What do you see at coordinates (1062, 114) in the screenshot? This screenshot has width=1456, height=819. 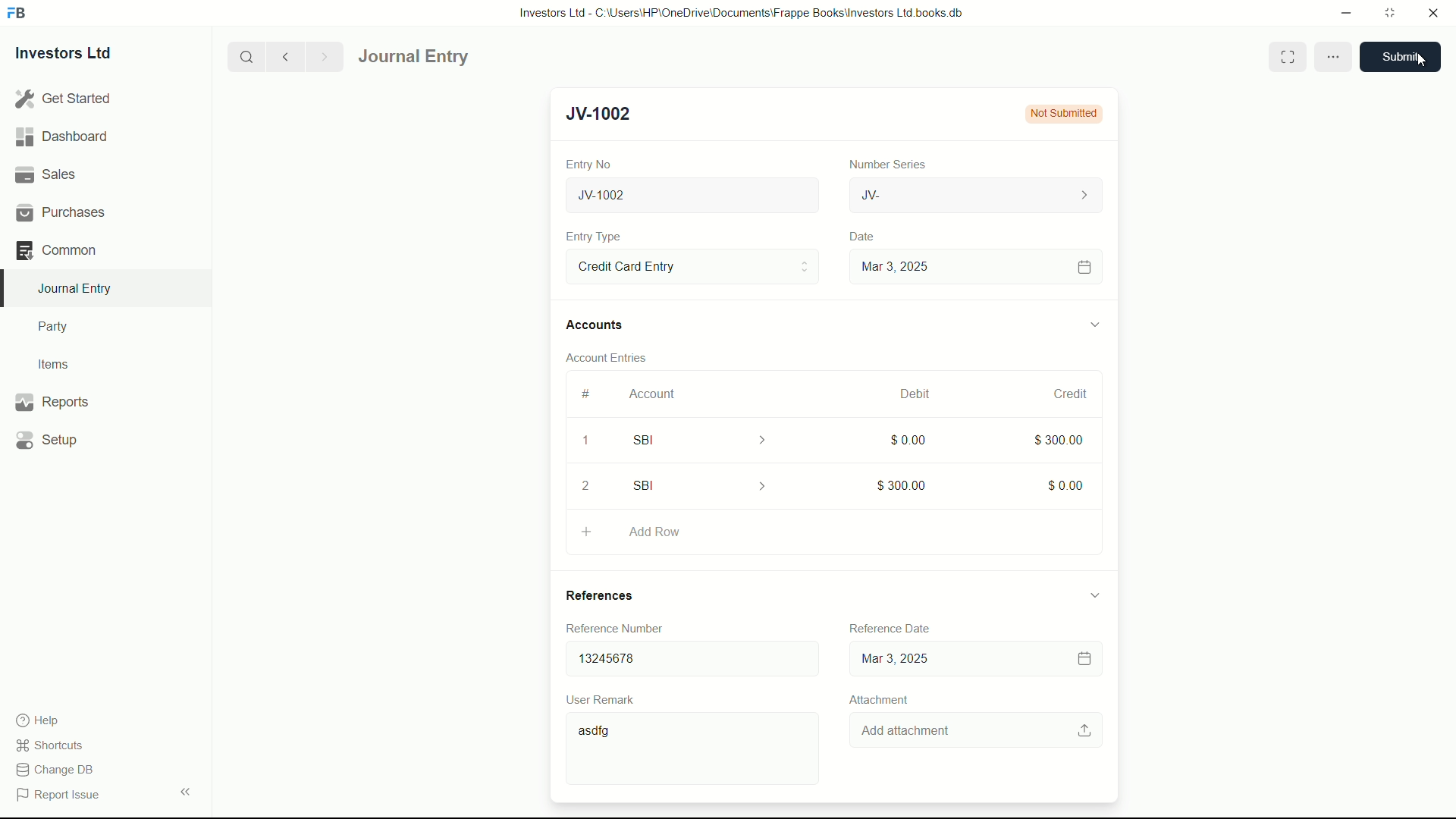 I see `Draft` at bounding box center [1062, 114].